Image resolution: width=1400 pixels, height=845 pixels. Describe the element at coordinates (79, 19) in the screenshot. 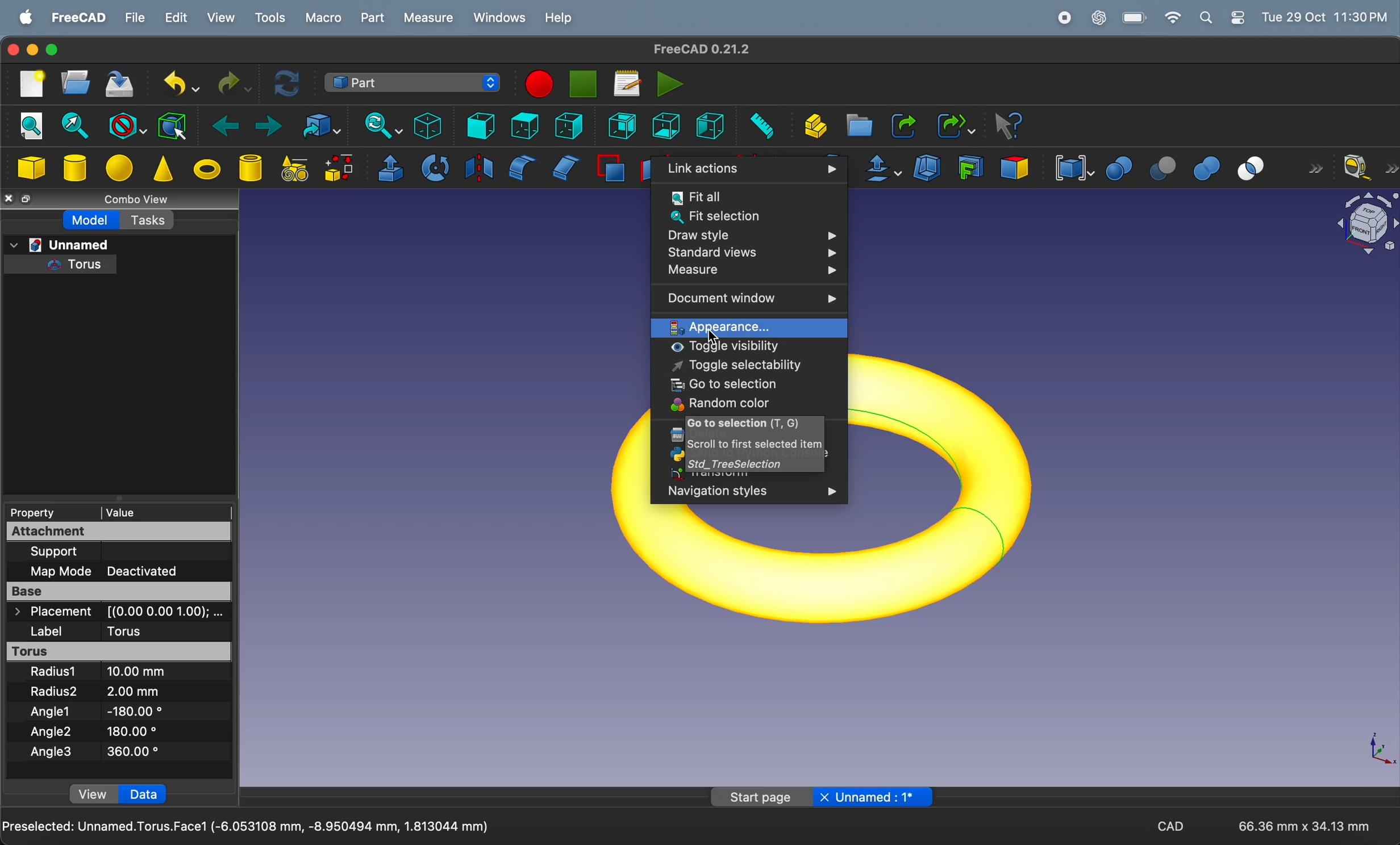

I see `free cad` at that location.